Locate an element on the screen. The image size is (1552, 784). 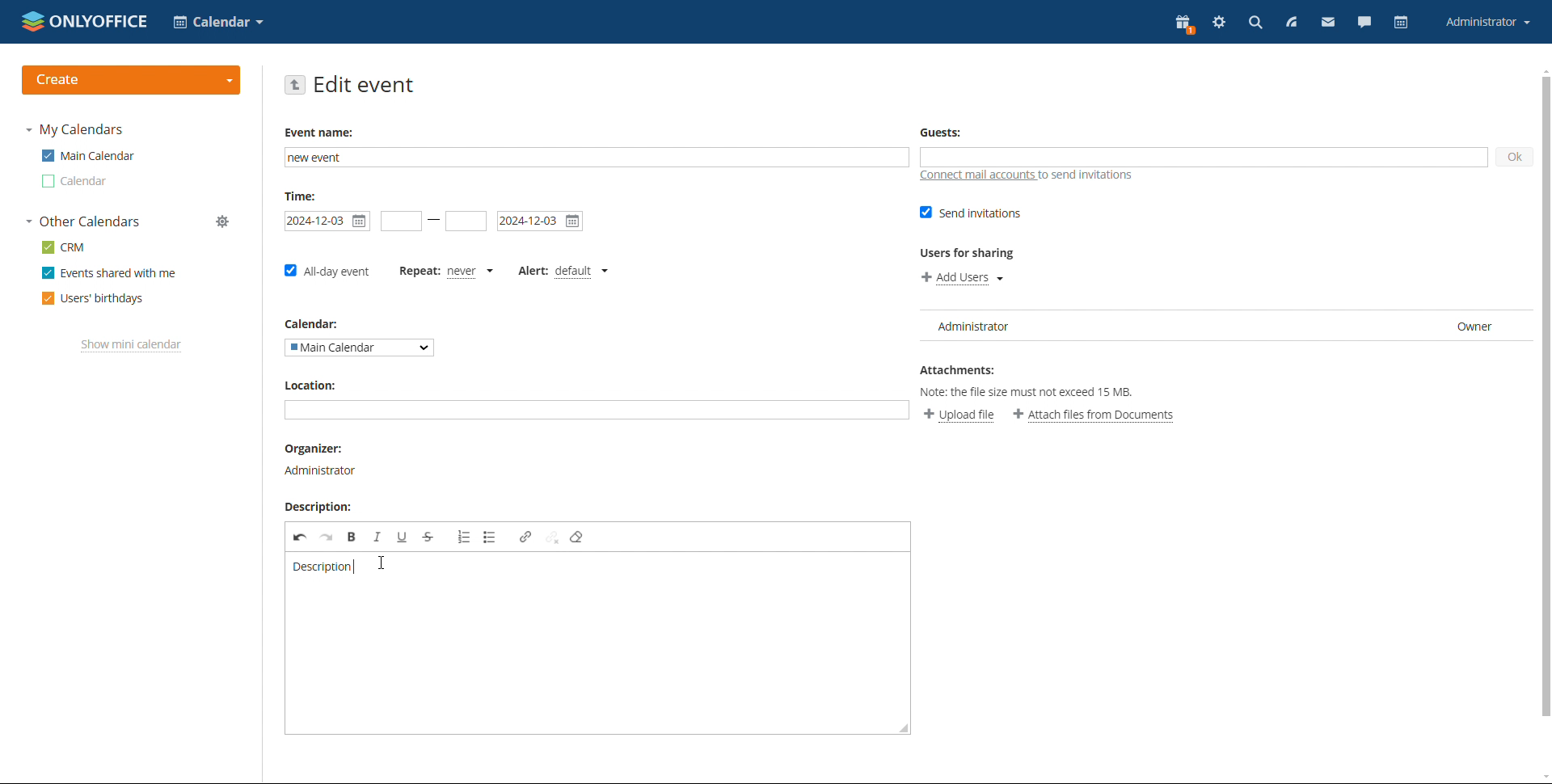
logo is located at coordinates (85, 20).